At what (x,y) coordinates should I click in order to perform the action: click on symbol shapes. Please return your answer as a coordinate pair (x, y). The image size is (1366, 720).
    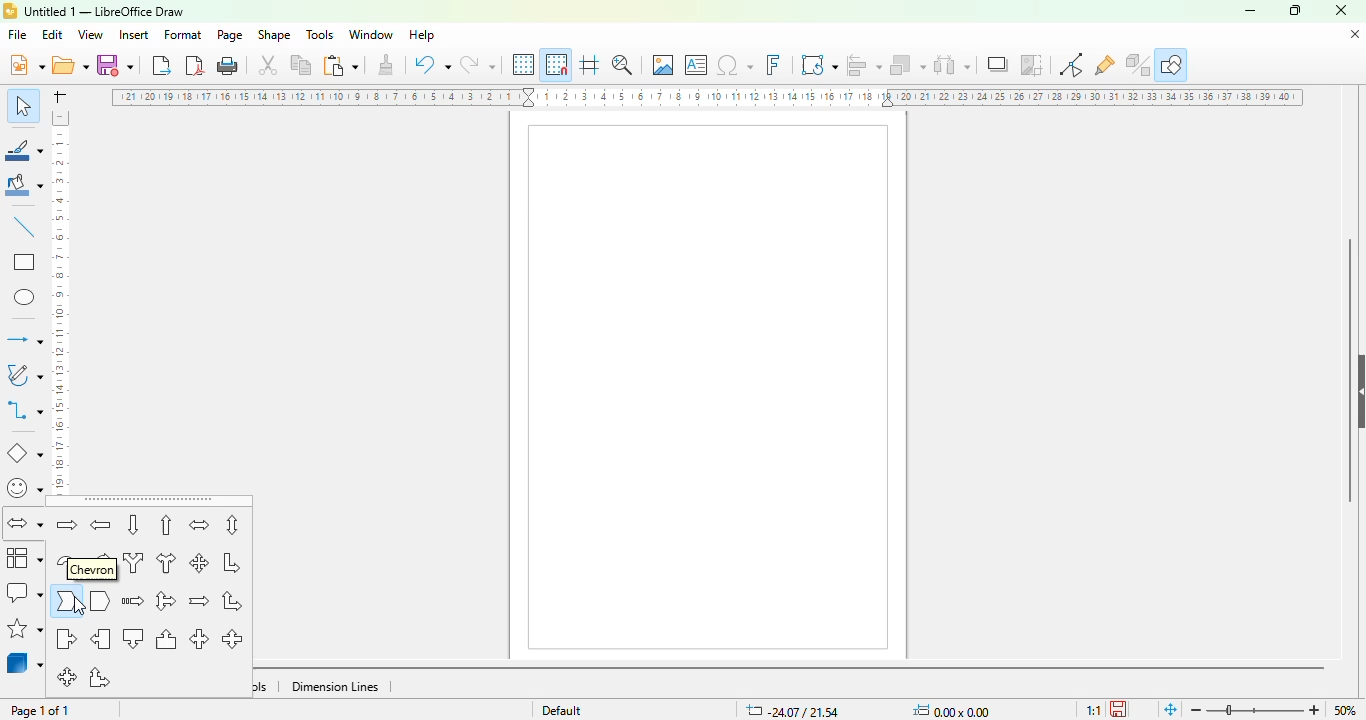
    Looking at the image, I should click on (23, 489).